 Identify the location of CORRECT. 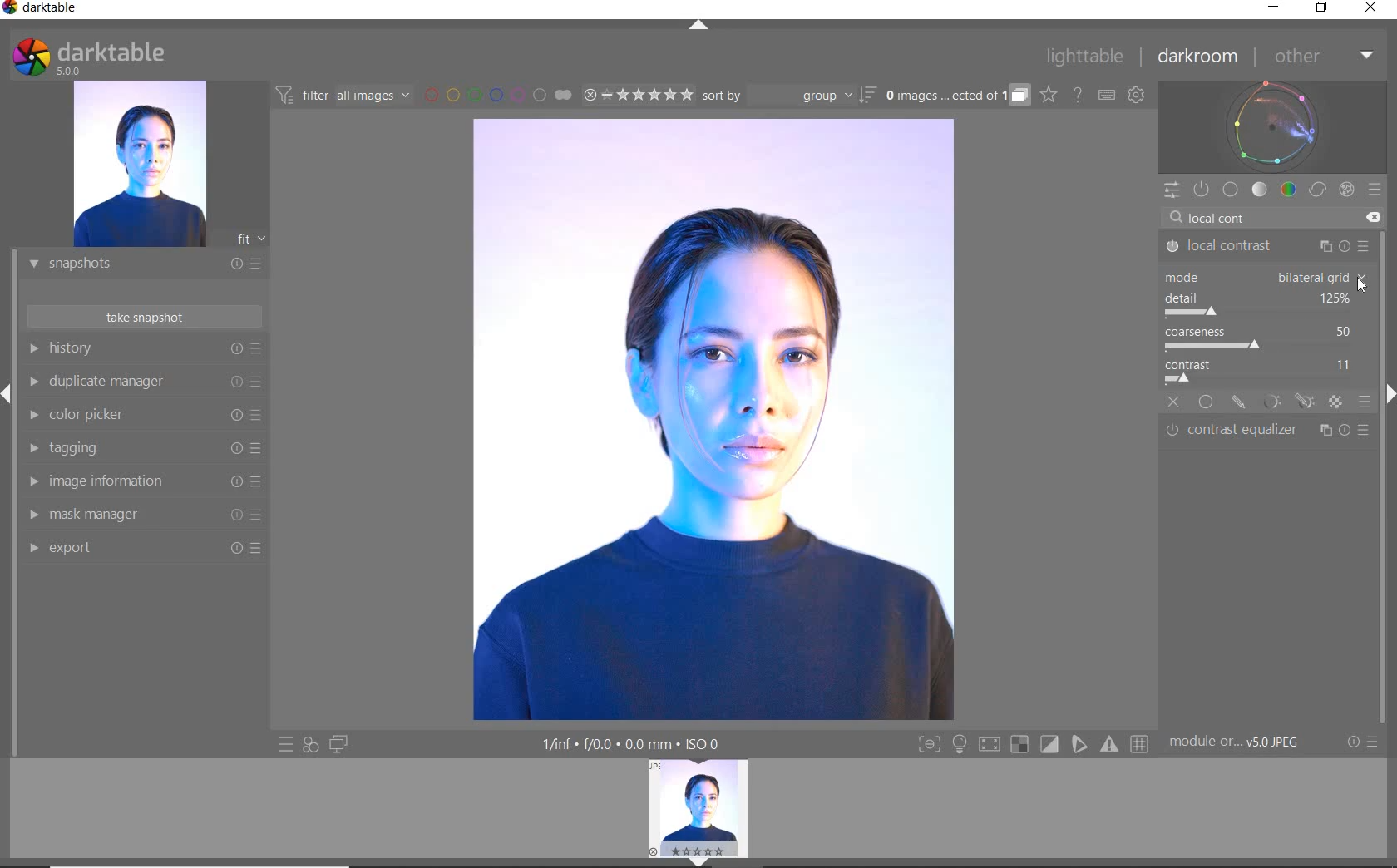
(1319, 191).